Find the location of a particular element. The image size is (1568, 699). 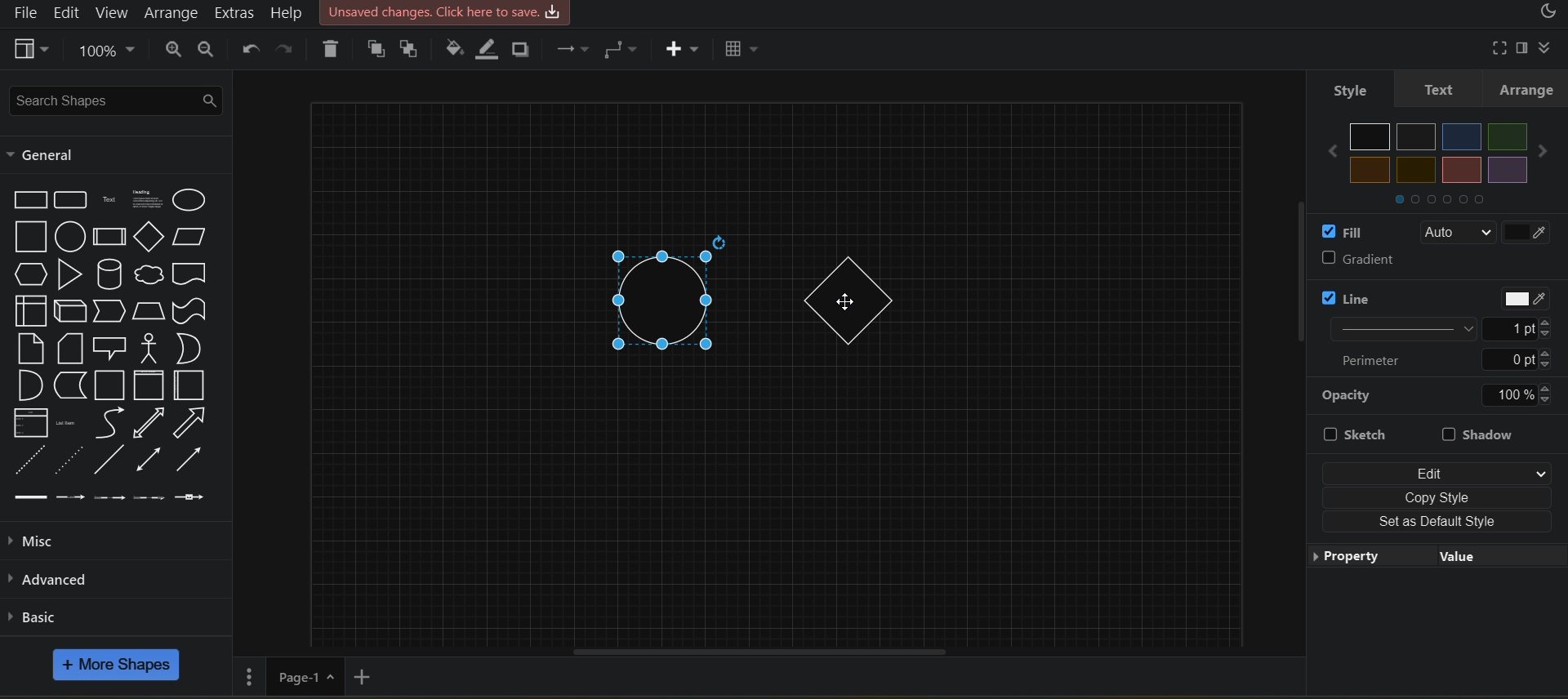

 is located at coordinates (1463, 136).